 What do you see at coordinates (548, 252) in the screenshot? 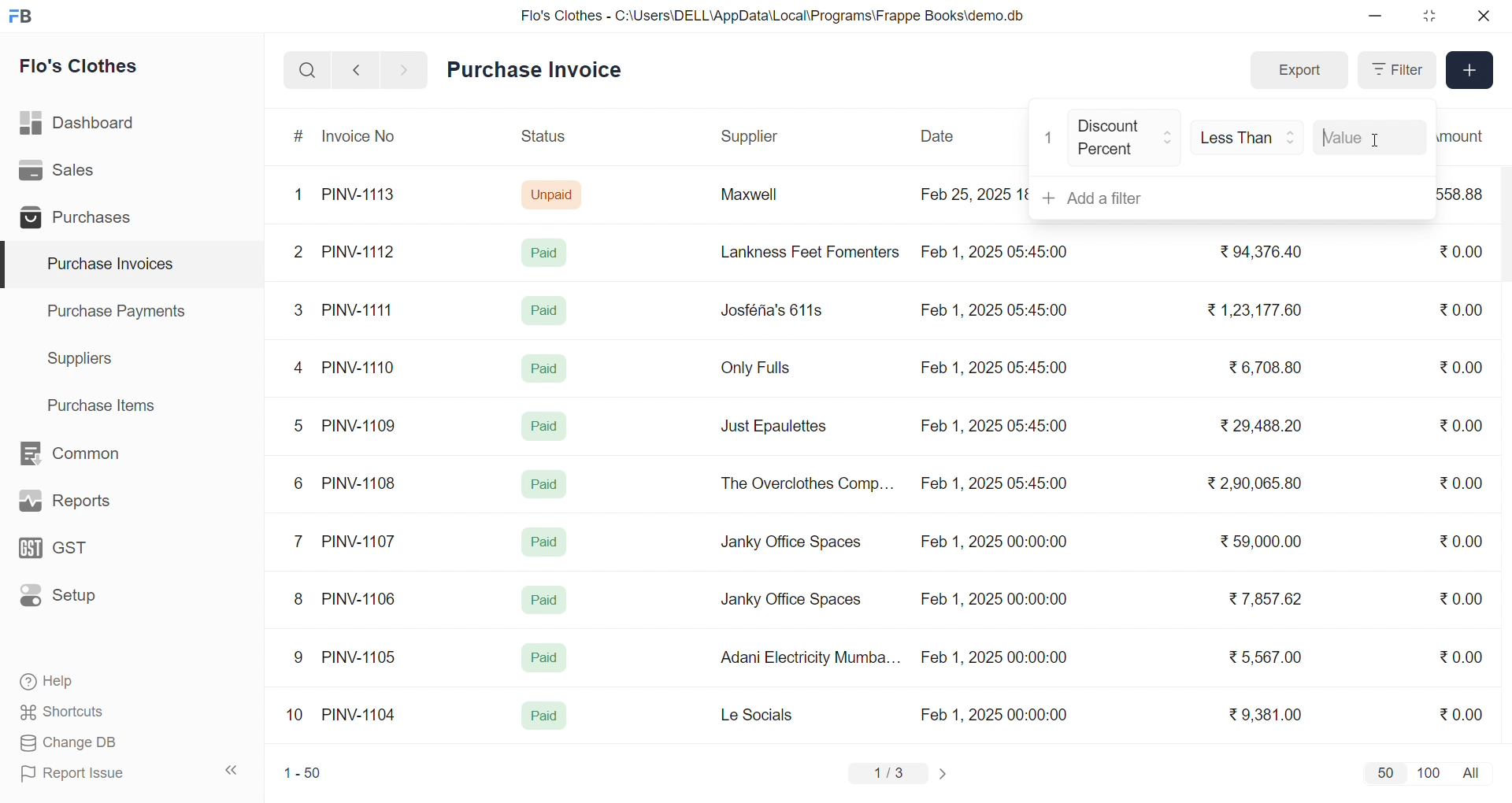
I see `Paid` at bounding box center [548, 252].